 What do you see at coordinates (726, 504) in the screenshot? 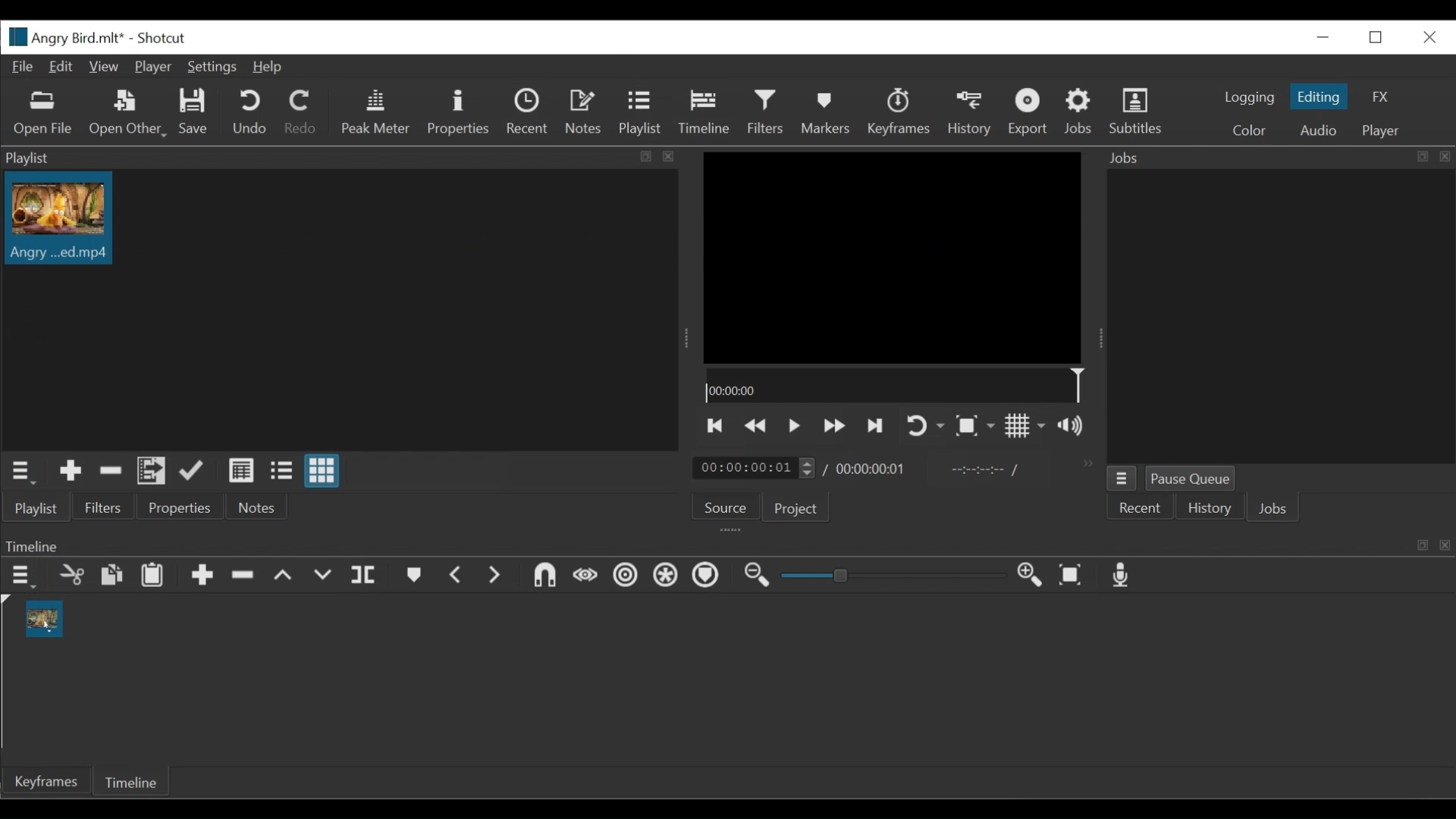
I see `Source` at bounding box center [726, 504].